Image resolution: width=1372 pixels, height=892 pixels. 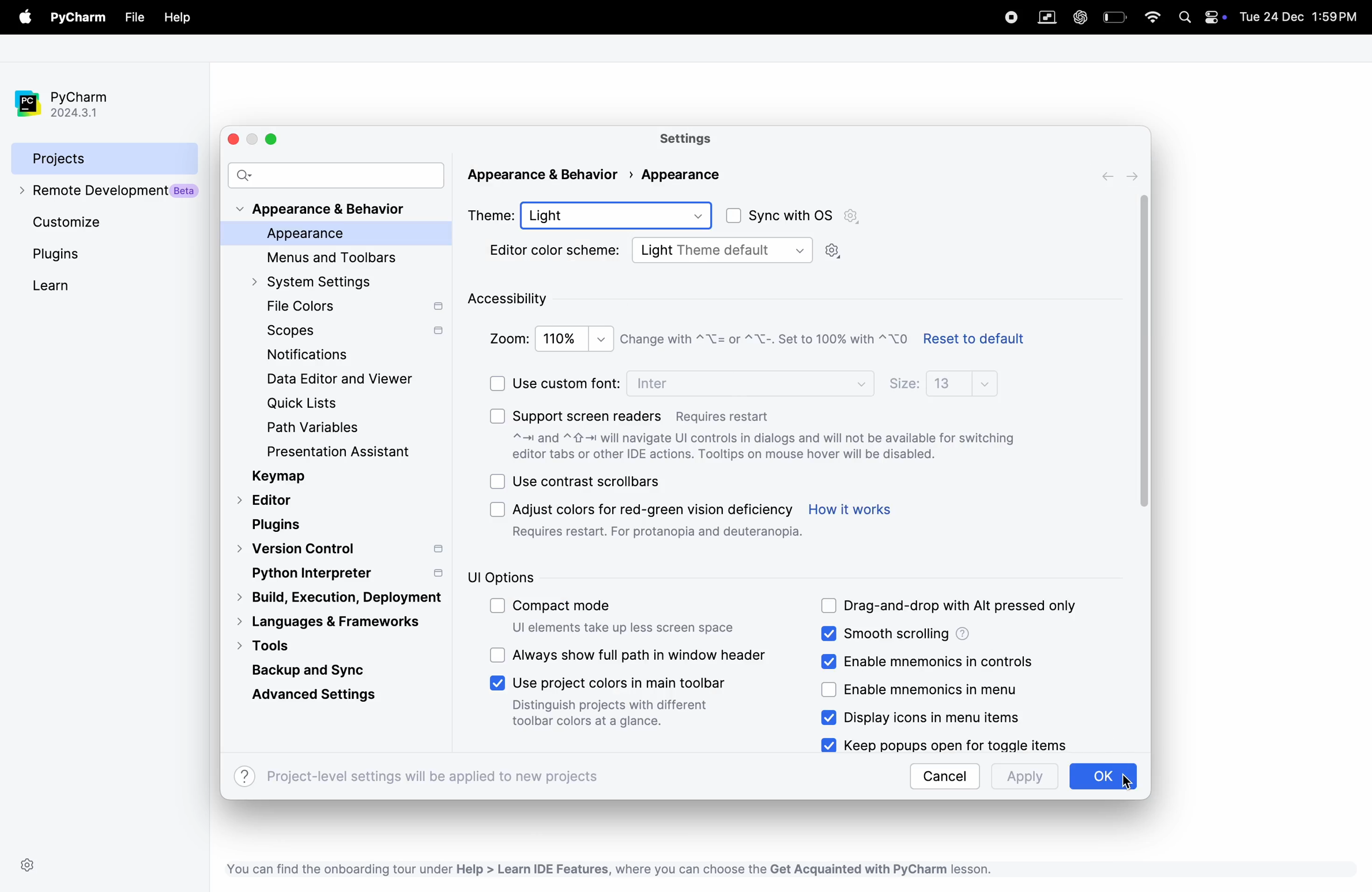 I want to click on smooth scrolling, so click(x=910, y=634).